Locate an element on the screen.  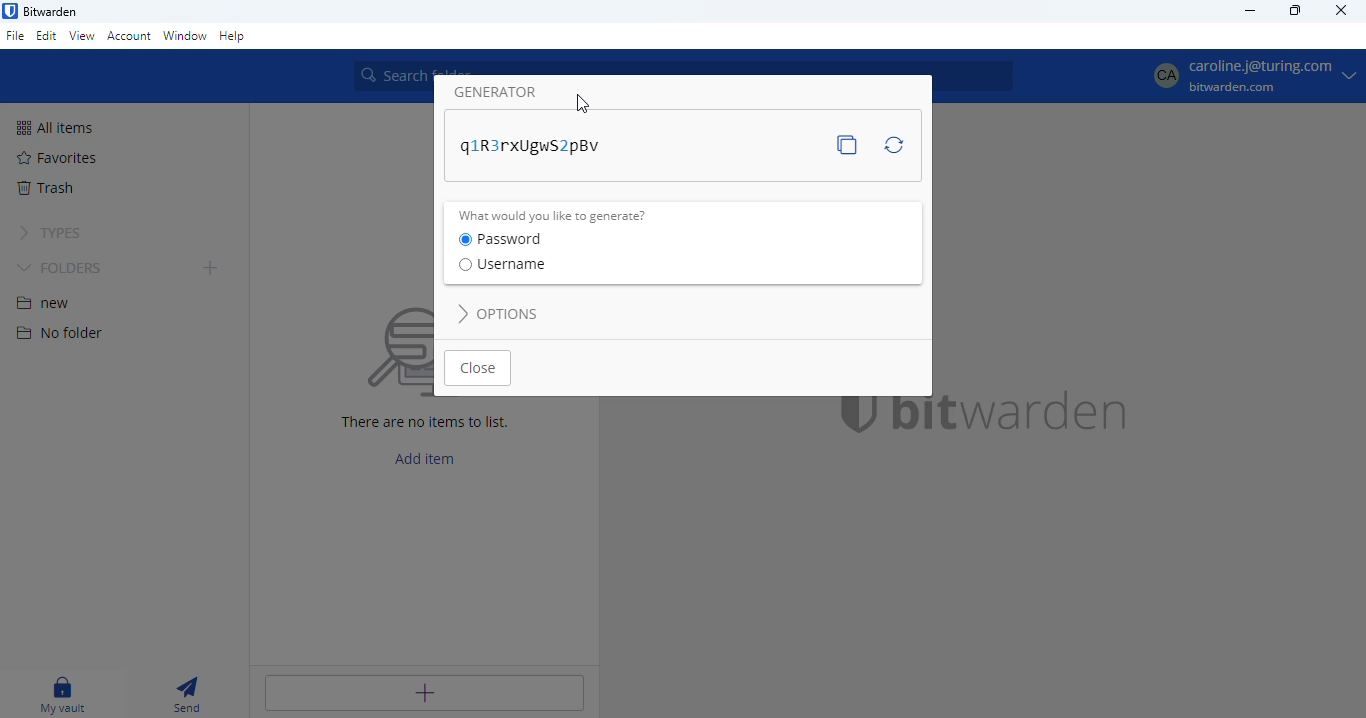
regenerate password is located at coordinates (894, 144).